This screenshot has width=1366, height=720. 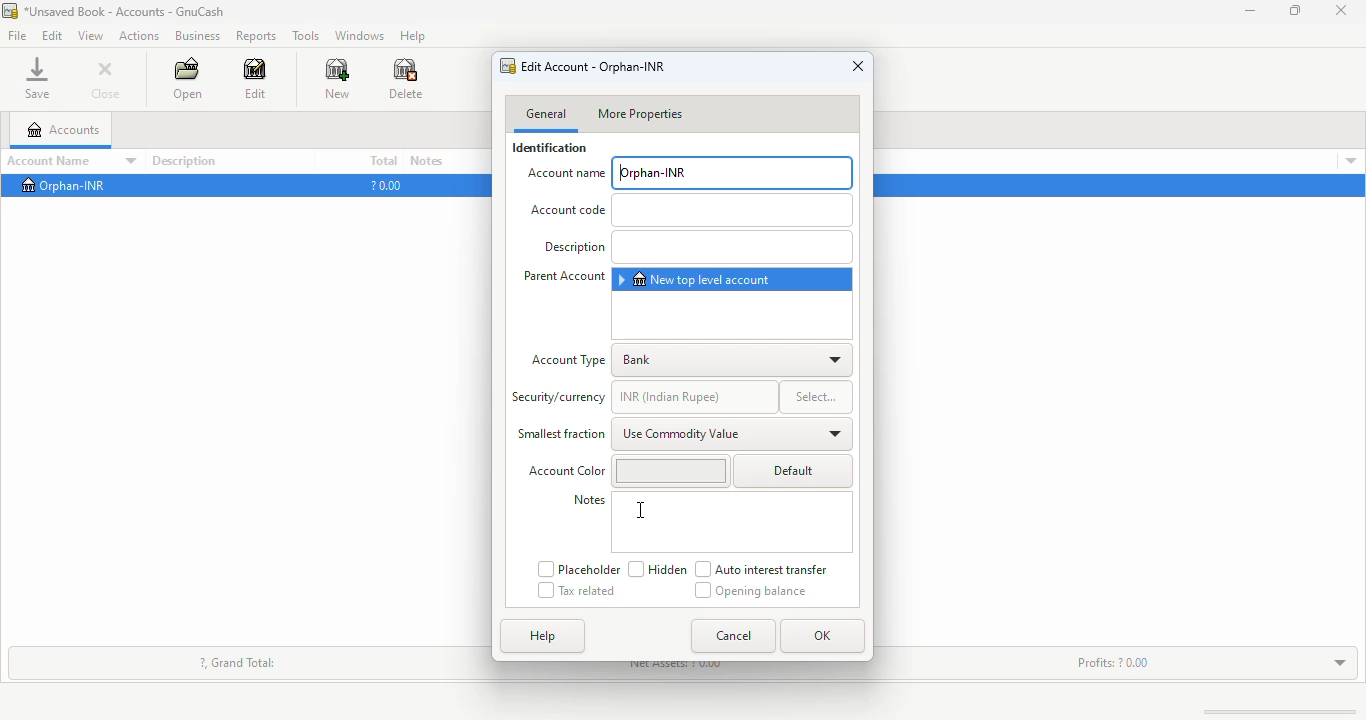 I want to click on cancel, so click(x=732, y=636).